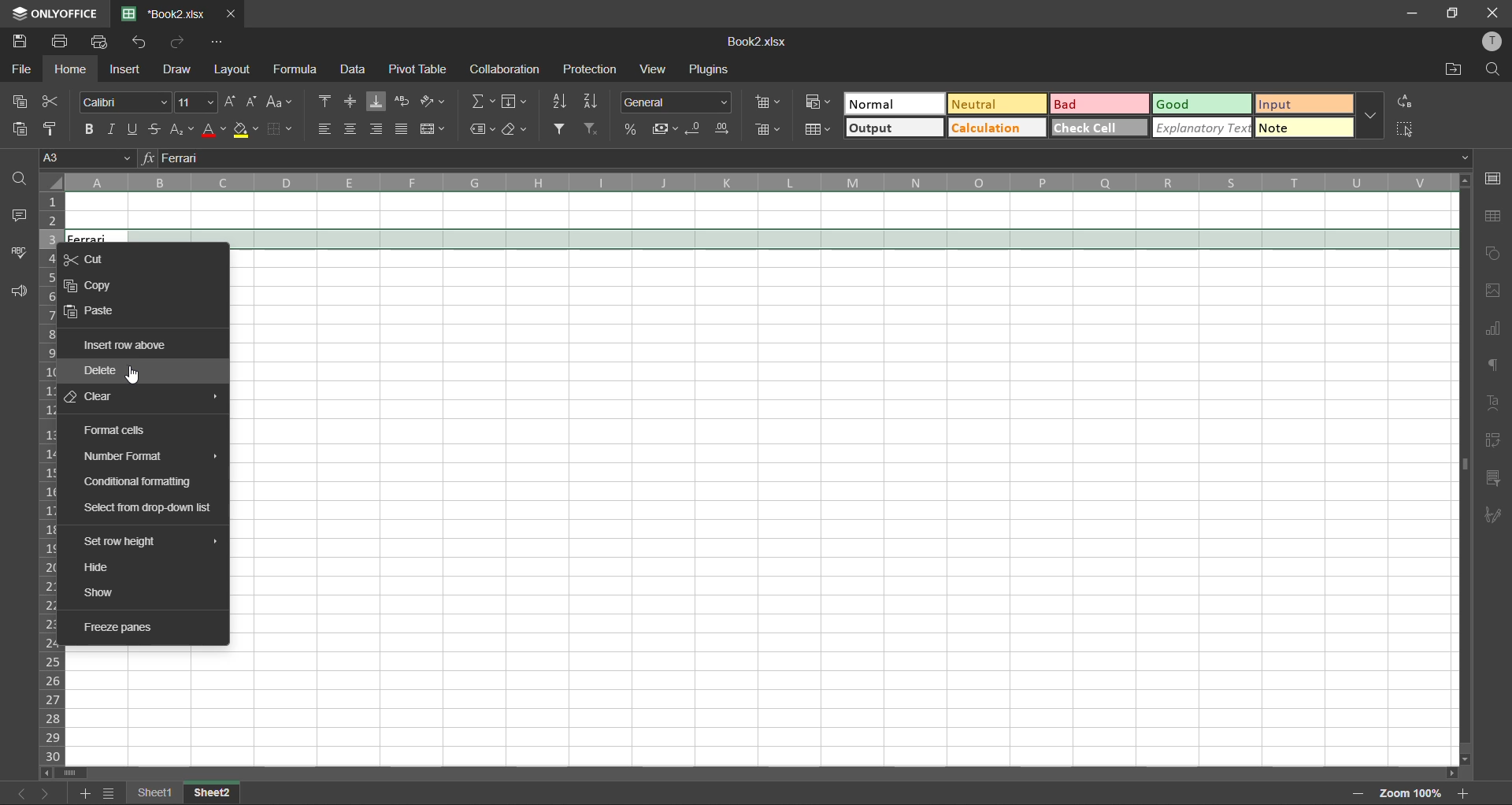 The image size is (1512, 805). I want to click on spellcheck, so click(19, 254).